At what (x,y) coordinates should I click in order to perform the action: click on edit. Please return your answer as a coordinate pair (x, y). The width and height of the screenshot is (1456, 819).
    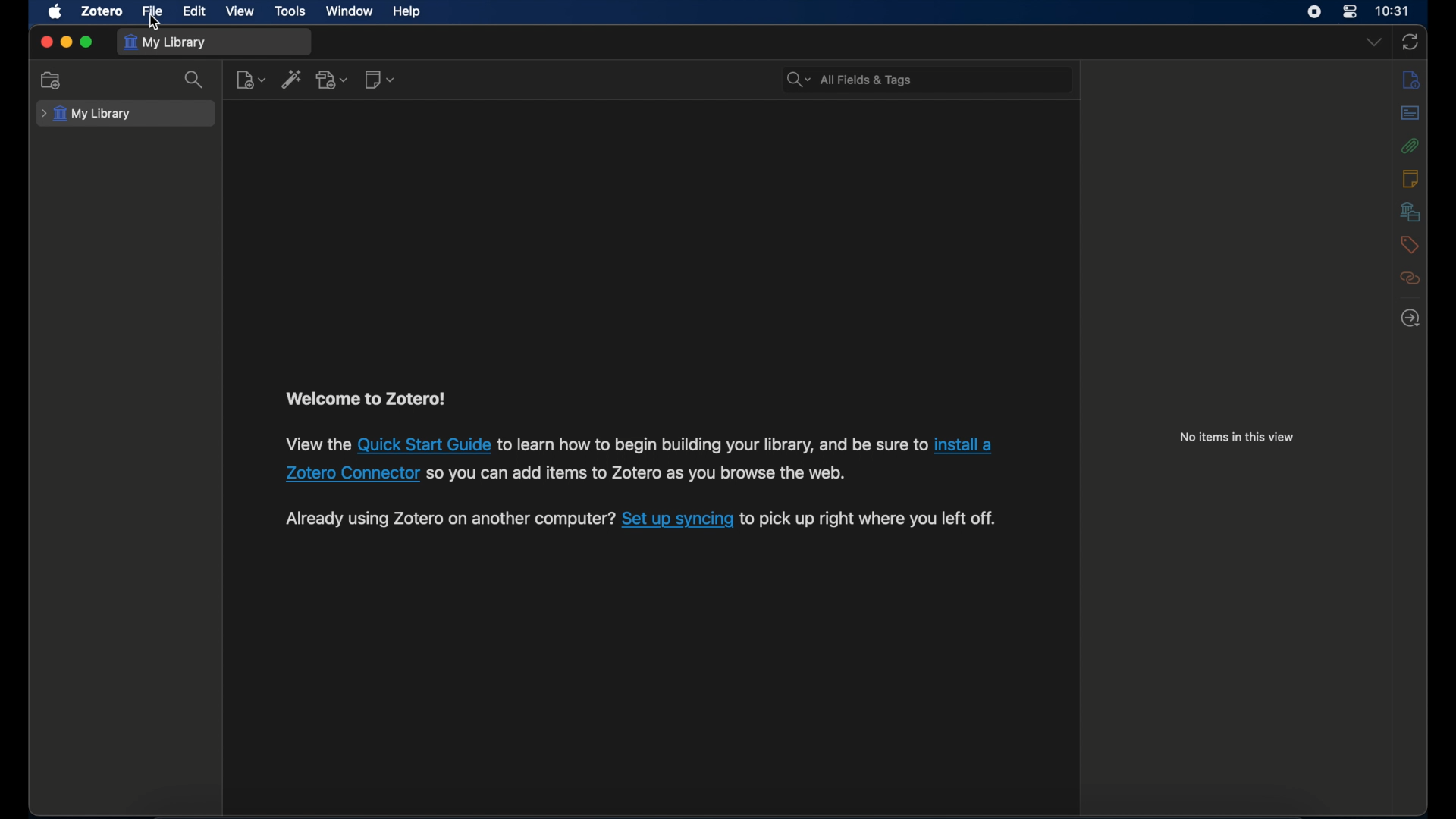
    Looking at the image, I should click on (194, 11).